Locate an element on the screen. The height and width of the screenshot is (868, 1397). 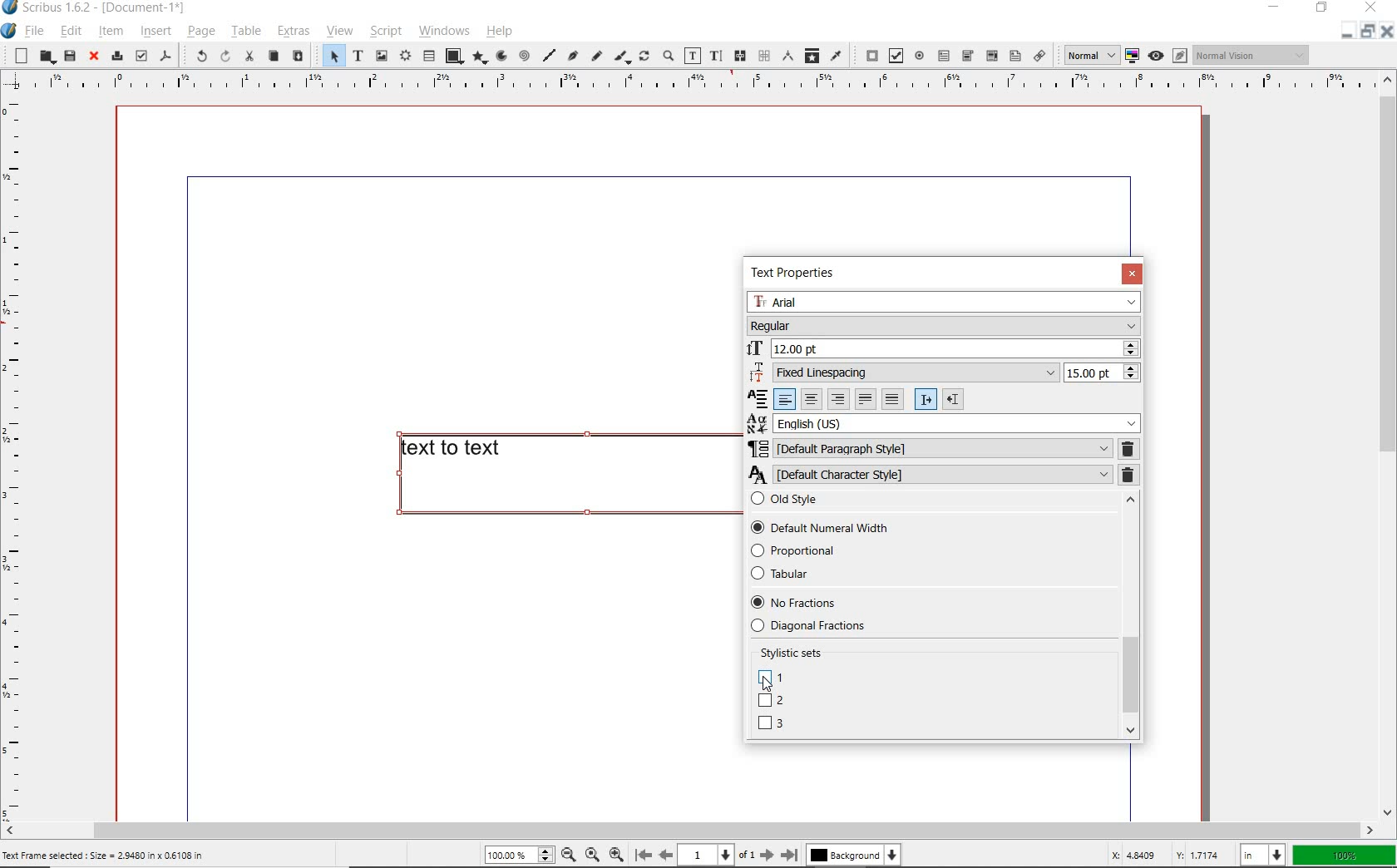
help is located at coordinates (503, 31).